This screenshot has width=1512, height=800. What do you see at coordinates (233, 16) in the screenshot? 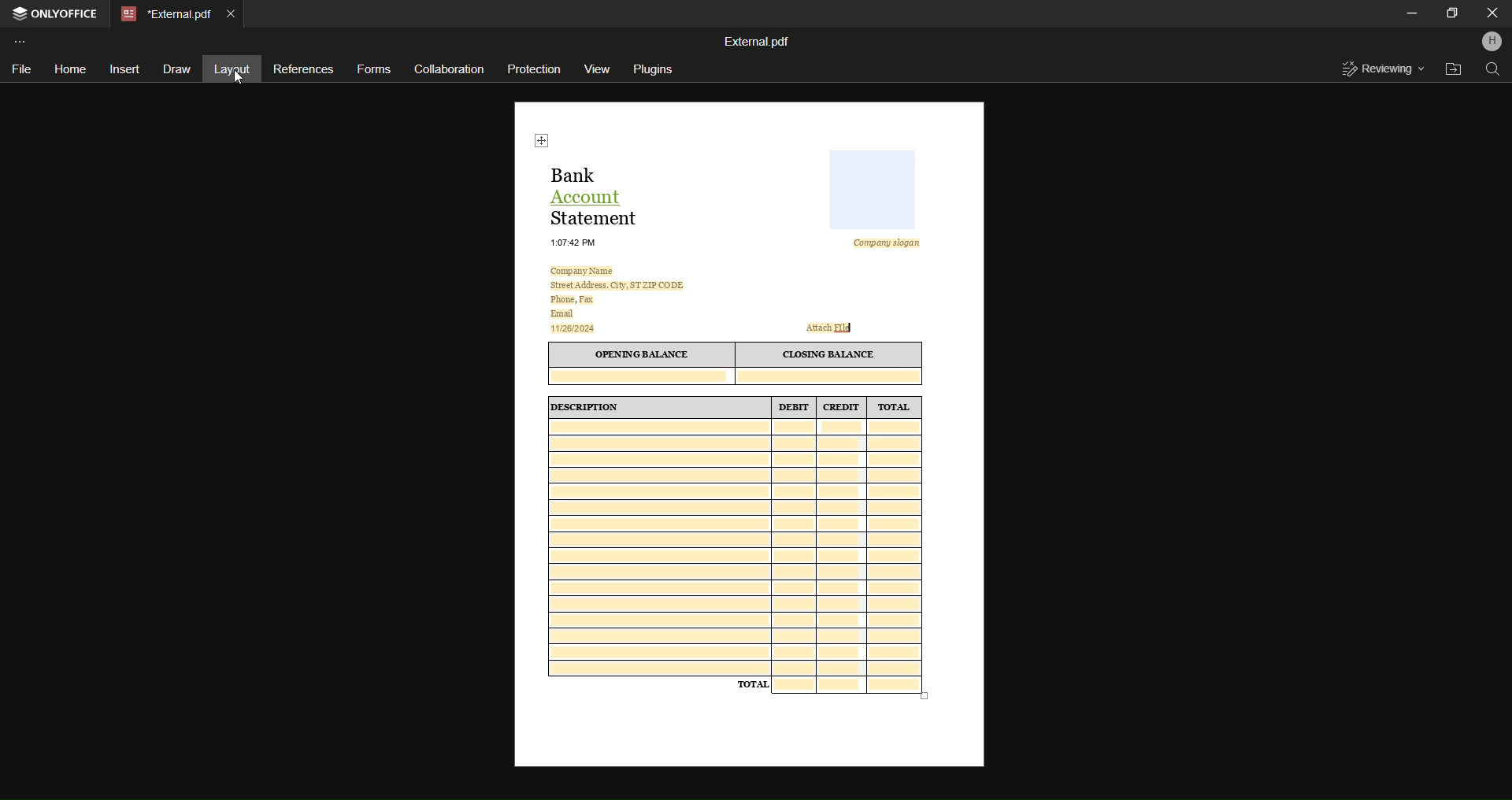
I see `Close tab` at bounding box center [233, 16].